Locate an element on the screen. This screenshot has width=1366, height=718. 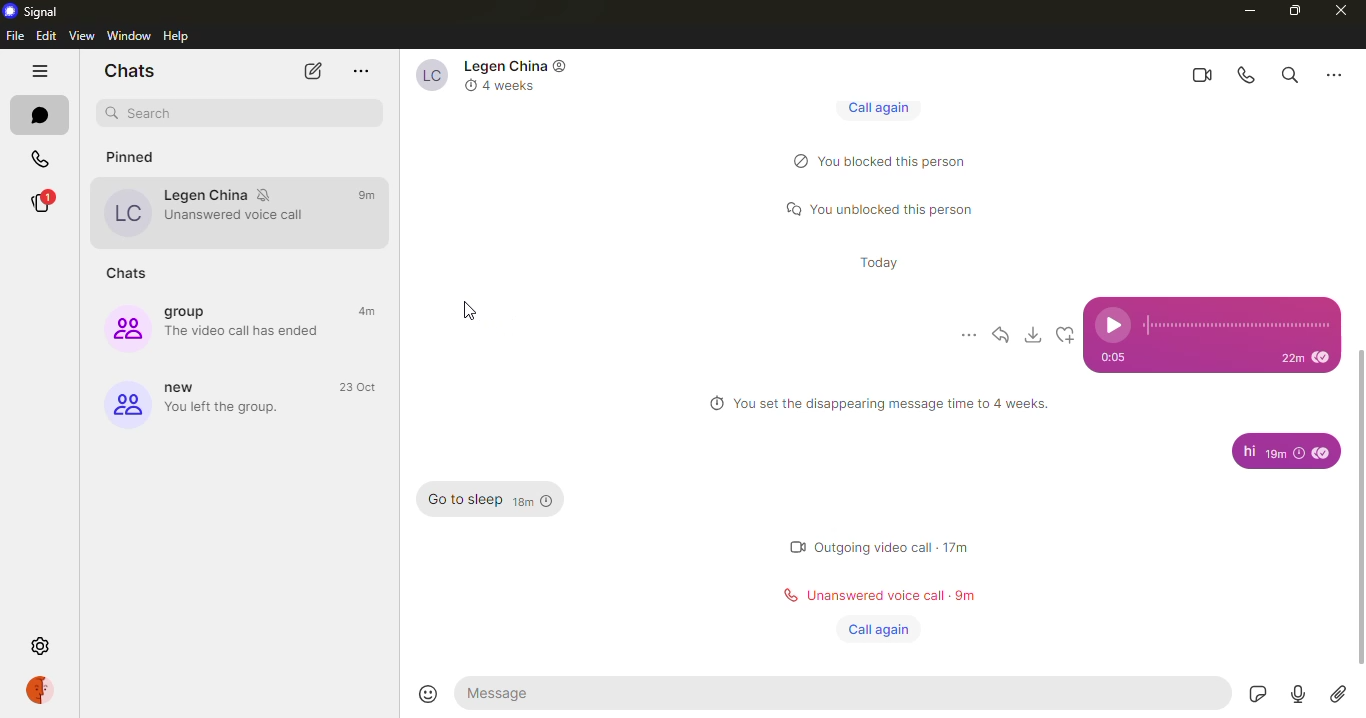
record is located at coordinates (1295, 695).